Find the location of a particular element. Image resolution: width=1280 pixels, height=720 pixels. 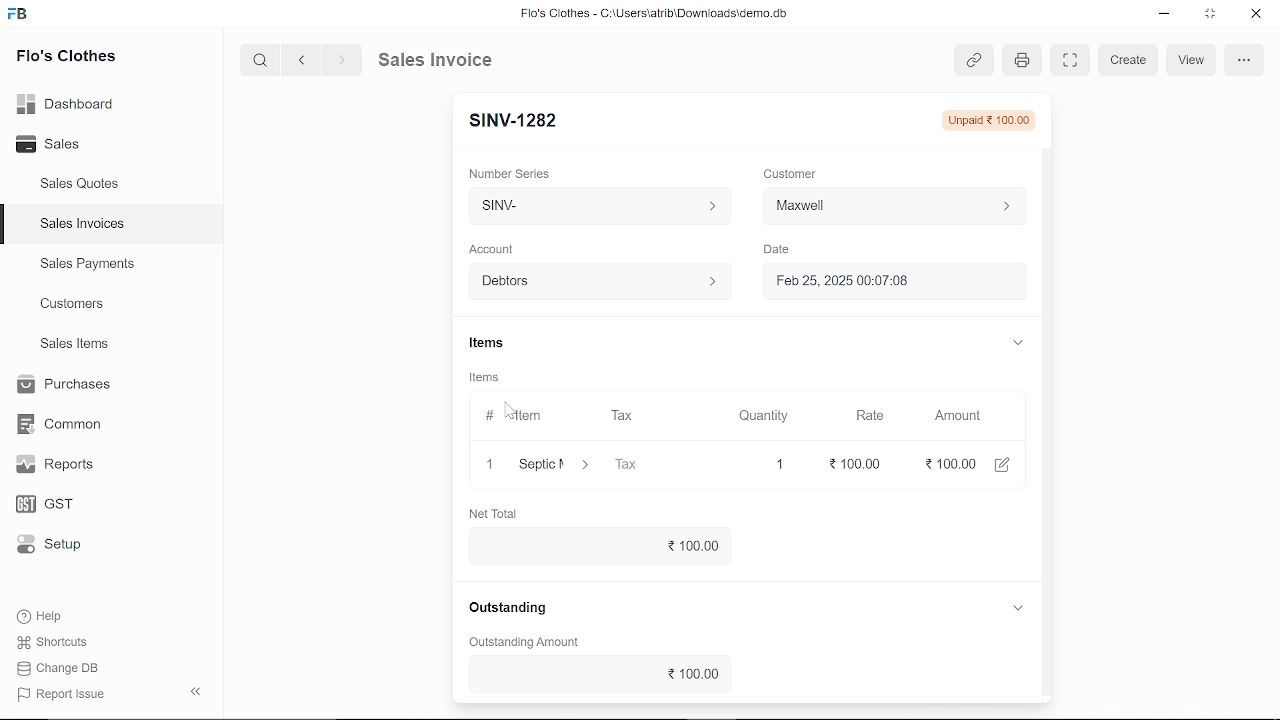

view is located at coordinates (1192, 59).